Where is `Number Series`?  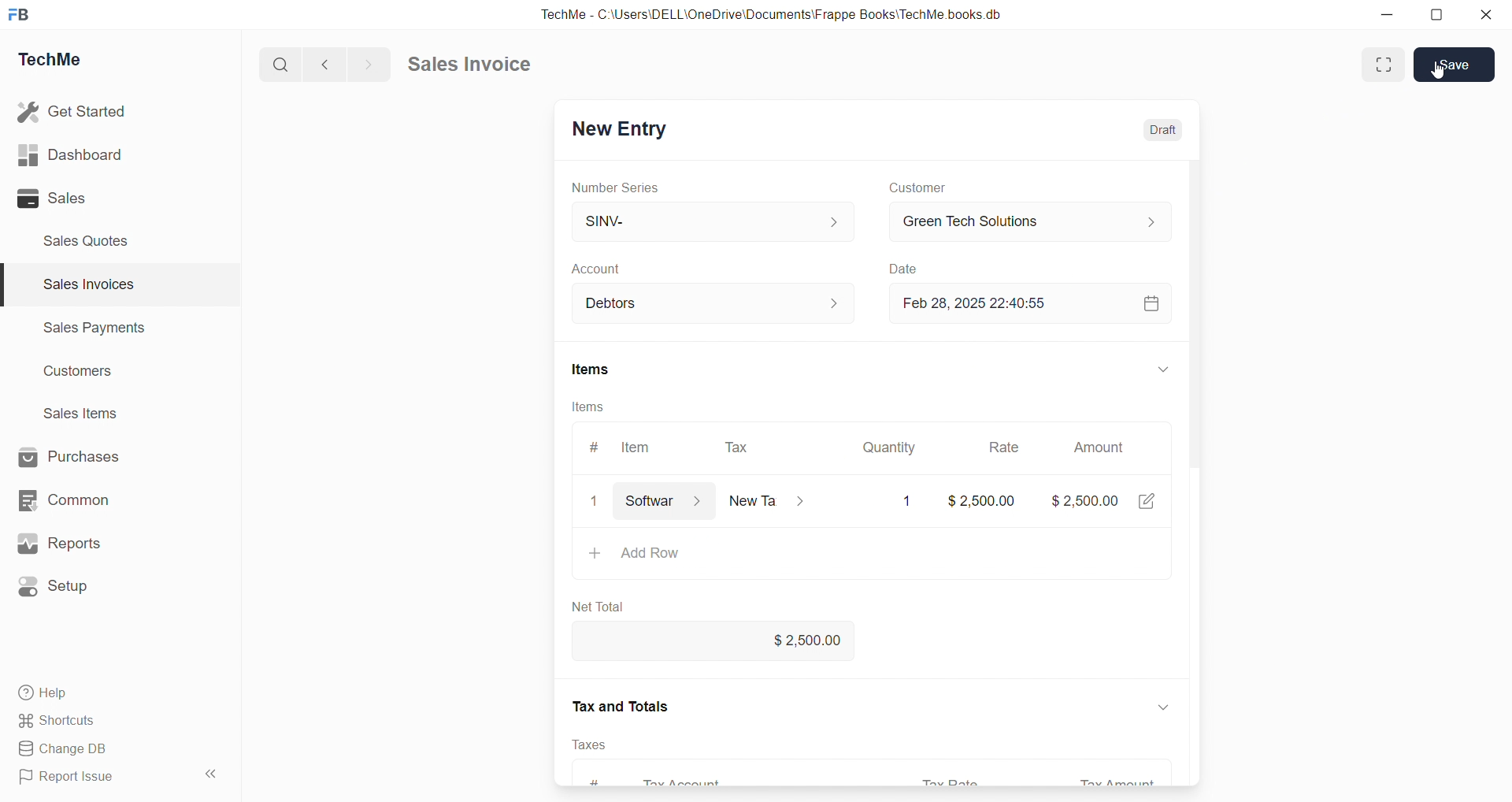 Number Series is located at coordinates (616, 188).